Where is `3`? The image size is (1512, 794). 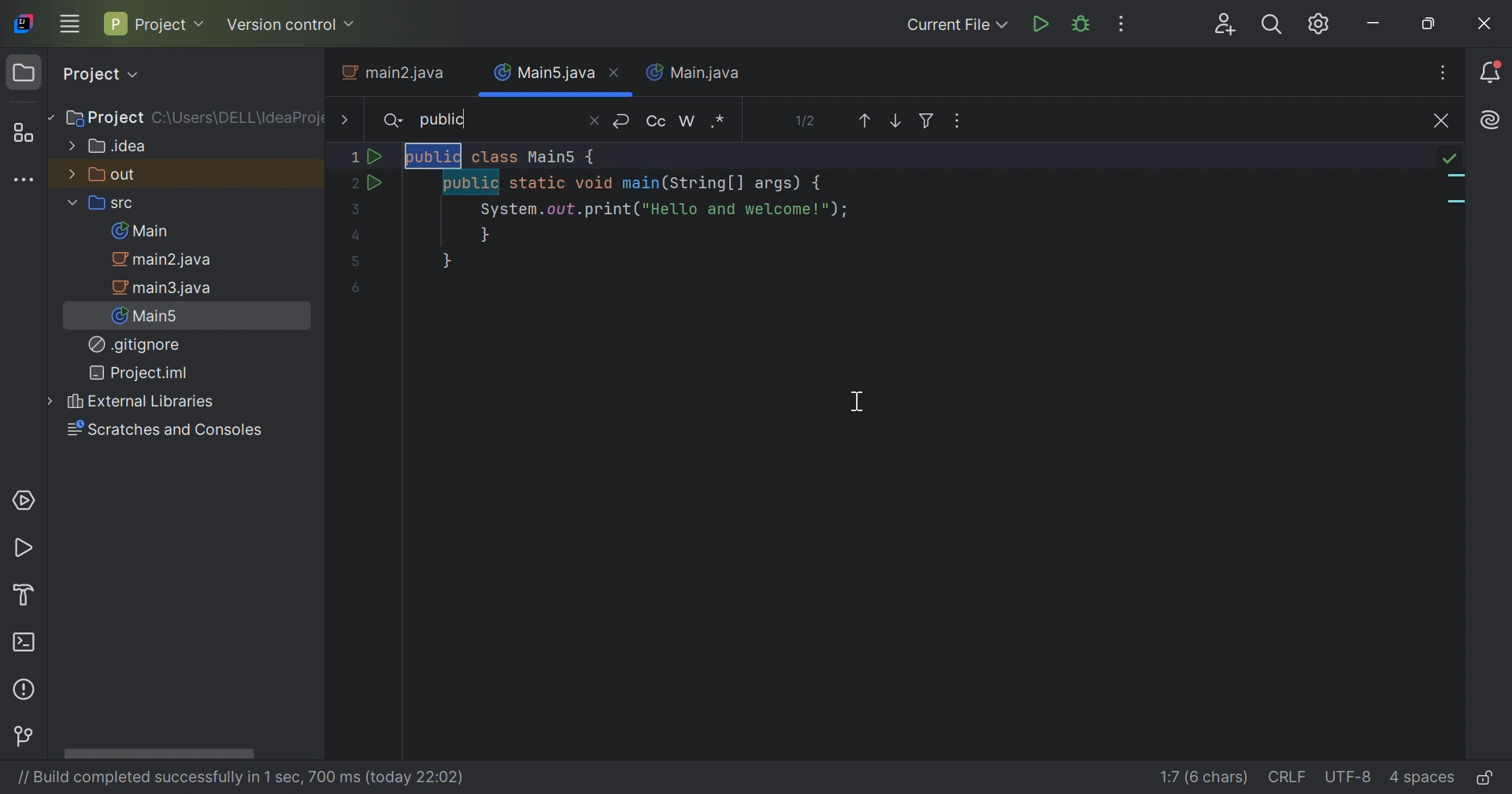 3 is located at coordinates (363, 210).